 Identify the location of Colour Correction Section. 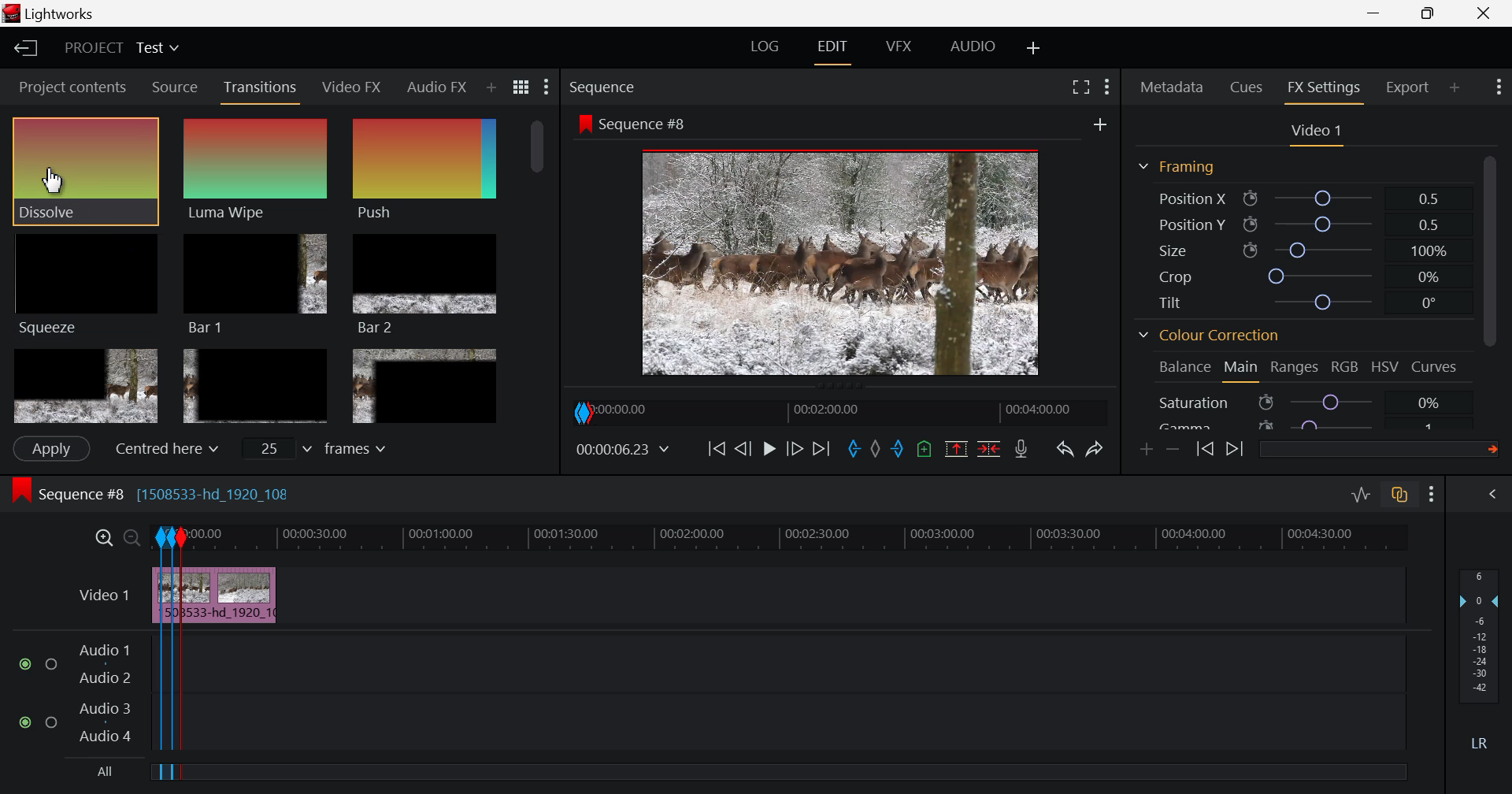
(1210, 337).